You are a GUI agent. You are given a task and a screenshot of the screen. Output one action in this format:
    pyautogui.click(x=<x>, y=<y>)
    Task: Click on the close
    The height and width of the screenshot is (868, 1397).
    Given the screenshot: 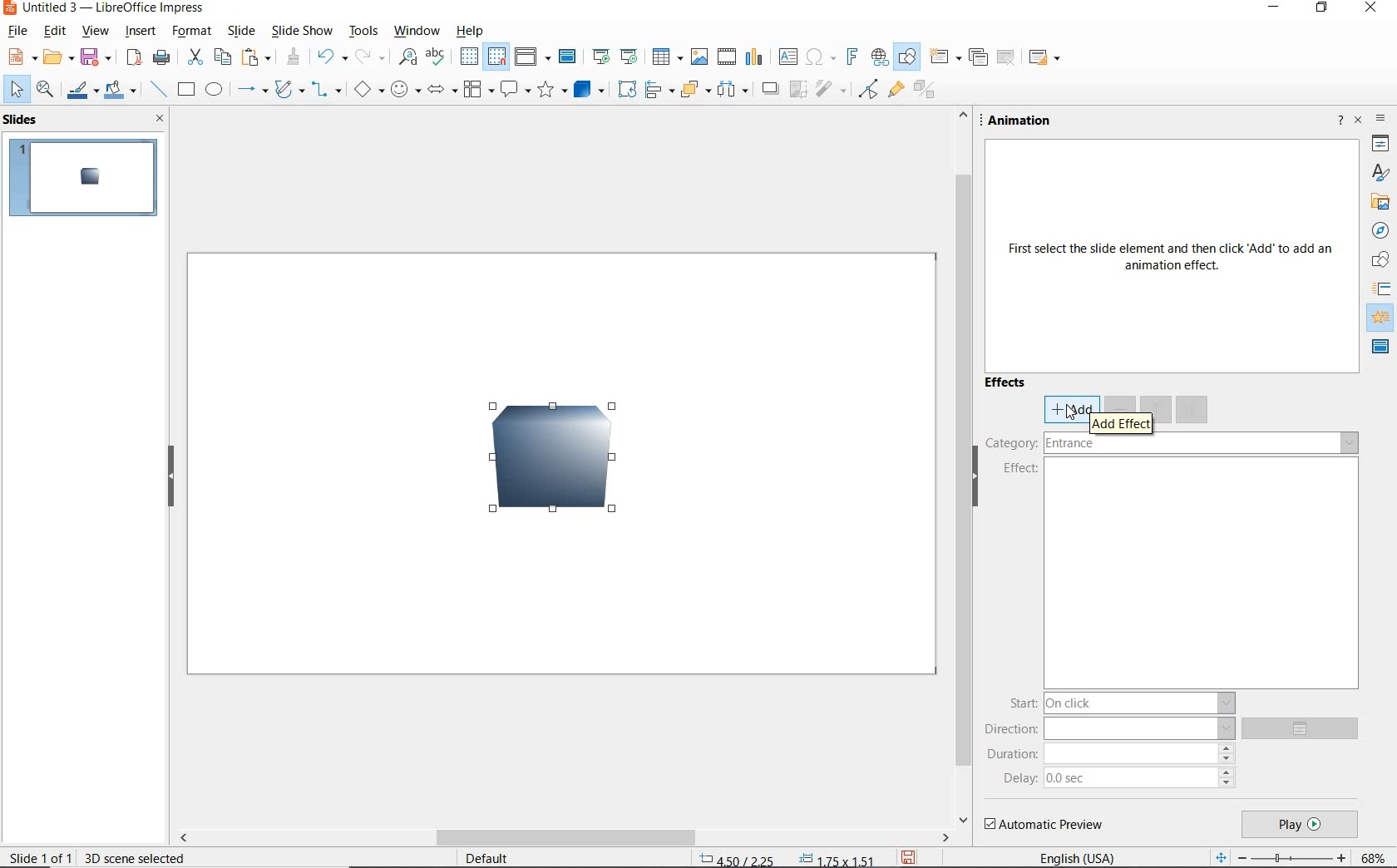 What is the action you would take?
    pyautogui.click(x=160, y=119)
    